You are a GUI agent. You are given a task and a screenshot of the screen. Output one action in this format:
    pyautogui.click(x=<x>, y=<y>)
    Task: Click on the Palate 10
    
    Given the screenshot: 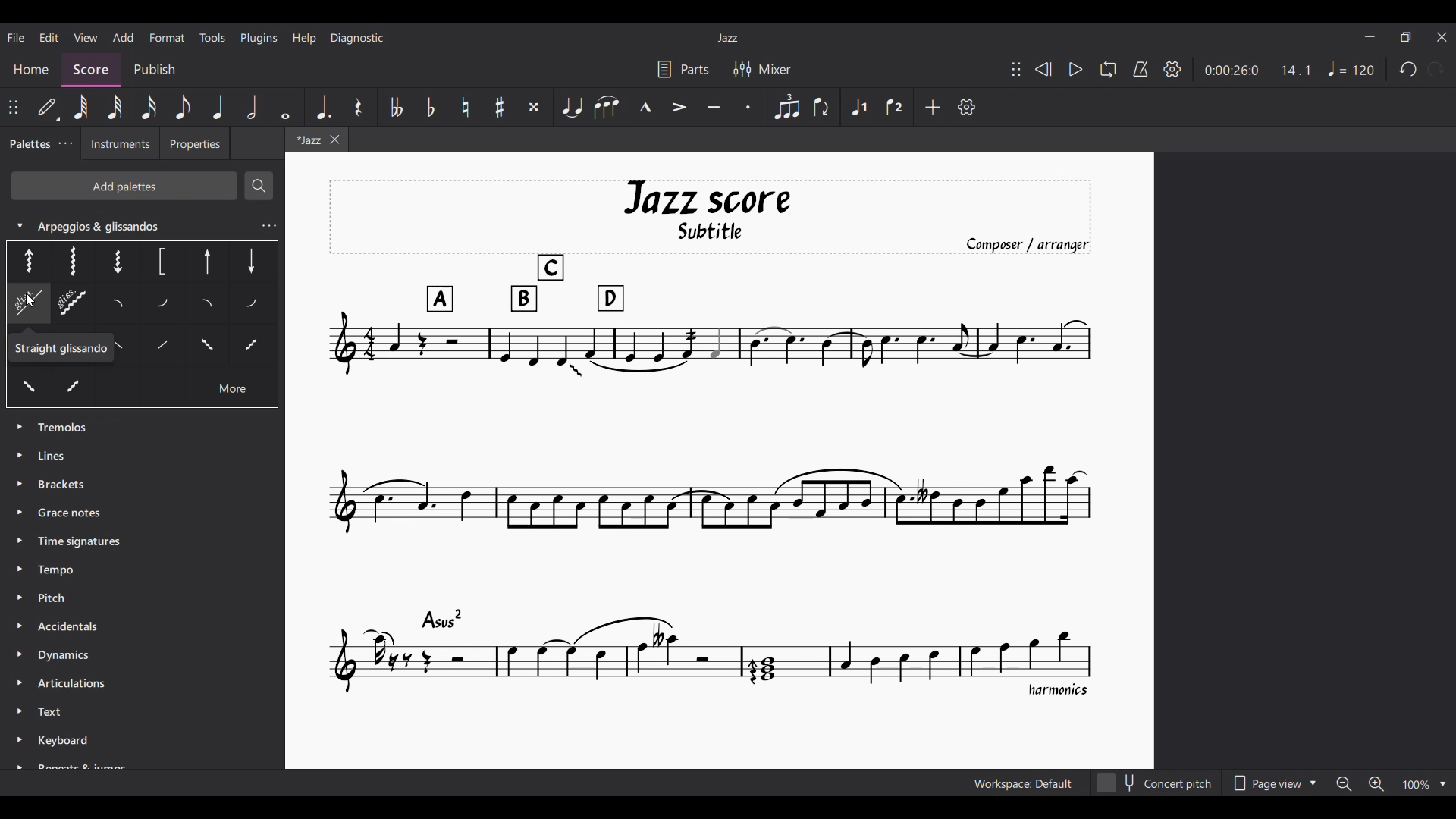 What is the action you would take?
    pyautogui.click(x=165, y=305)
    